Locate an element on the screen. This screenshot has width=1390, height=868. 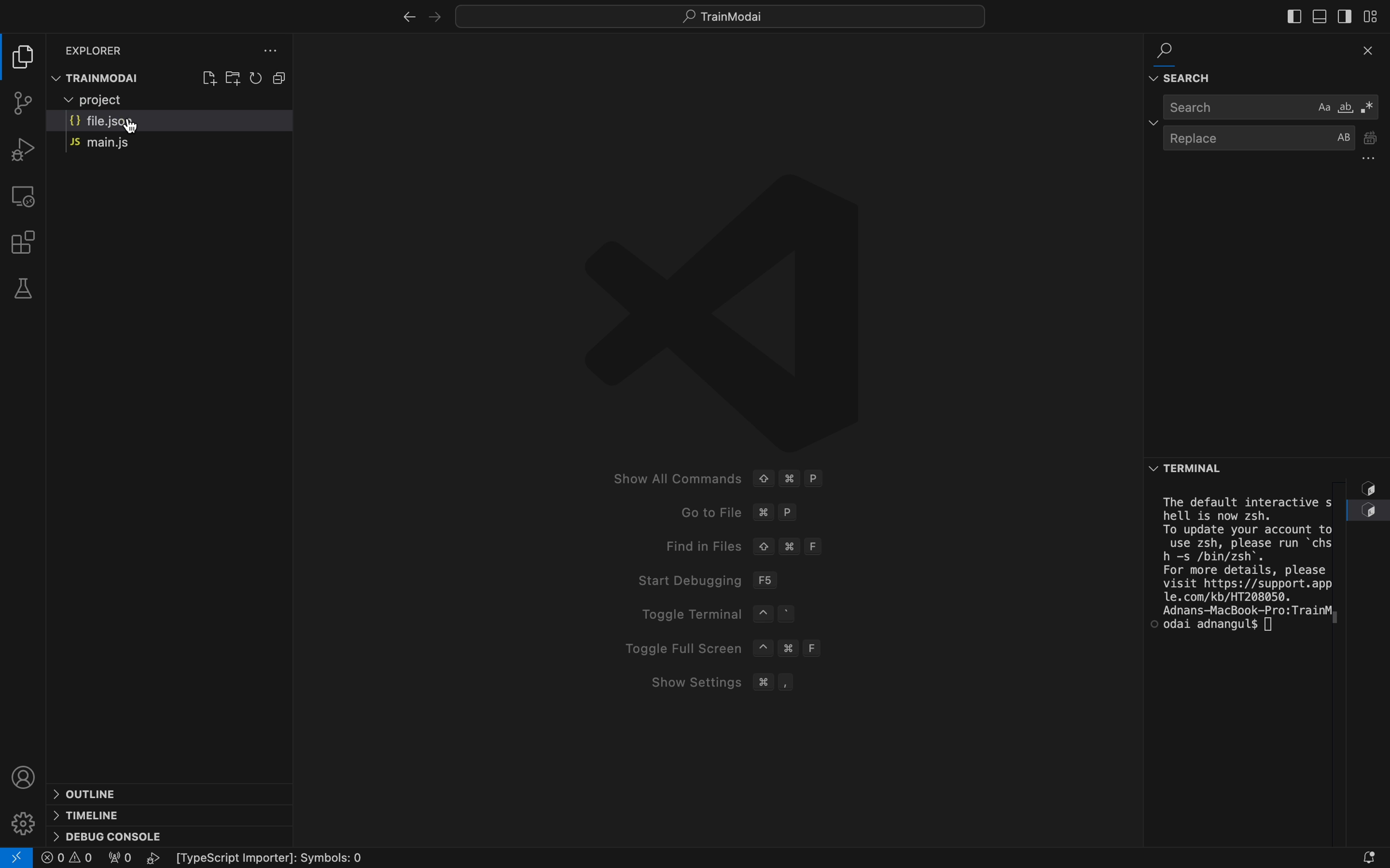
profile is located at coordinates (24, 777).